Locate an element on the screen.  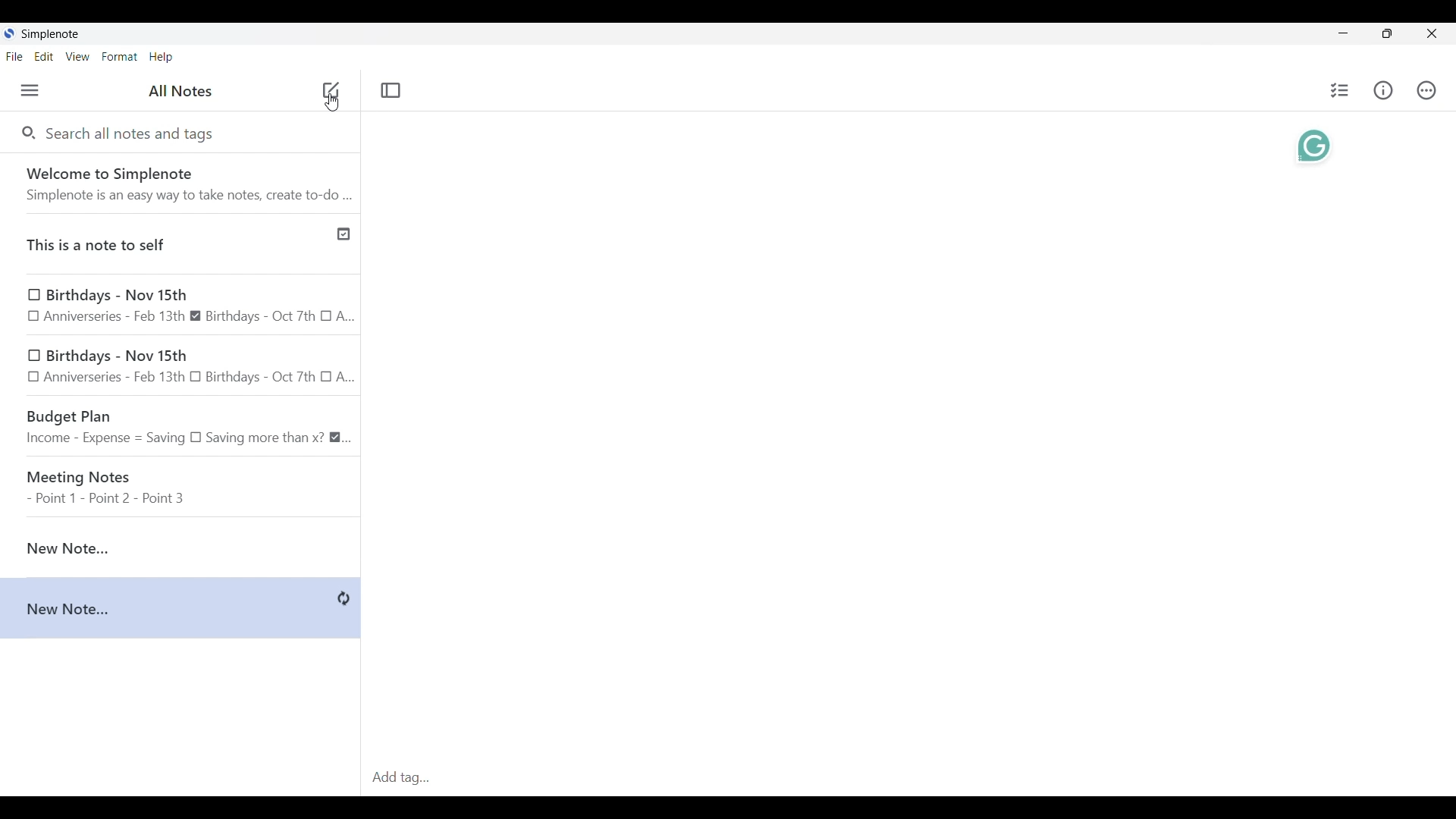
Add new note is located at coordinates (332, 107).